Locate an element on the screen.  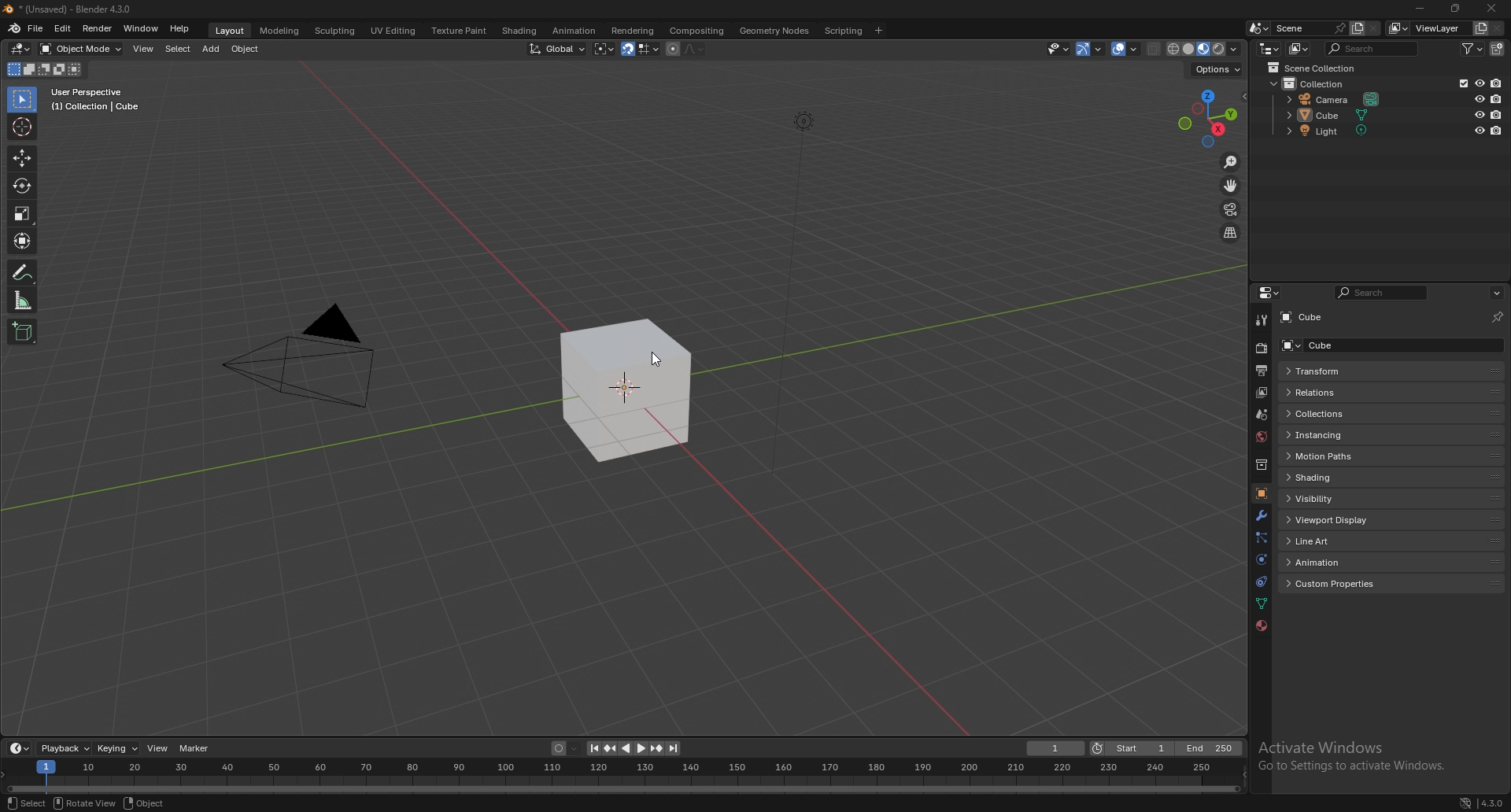
mode is located at coordinates (42, 72).